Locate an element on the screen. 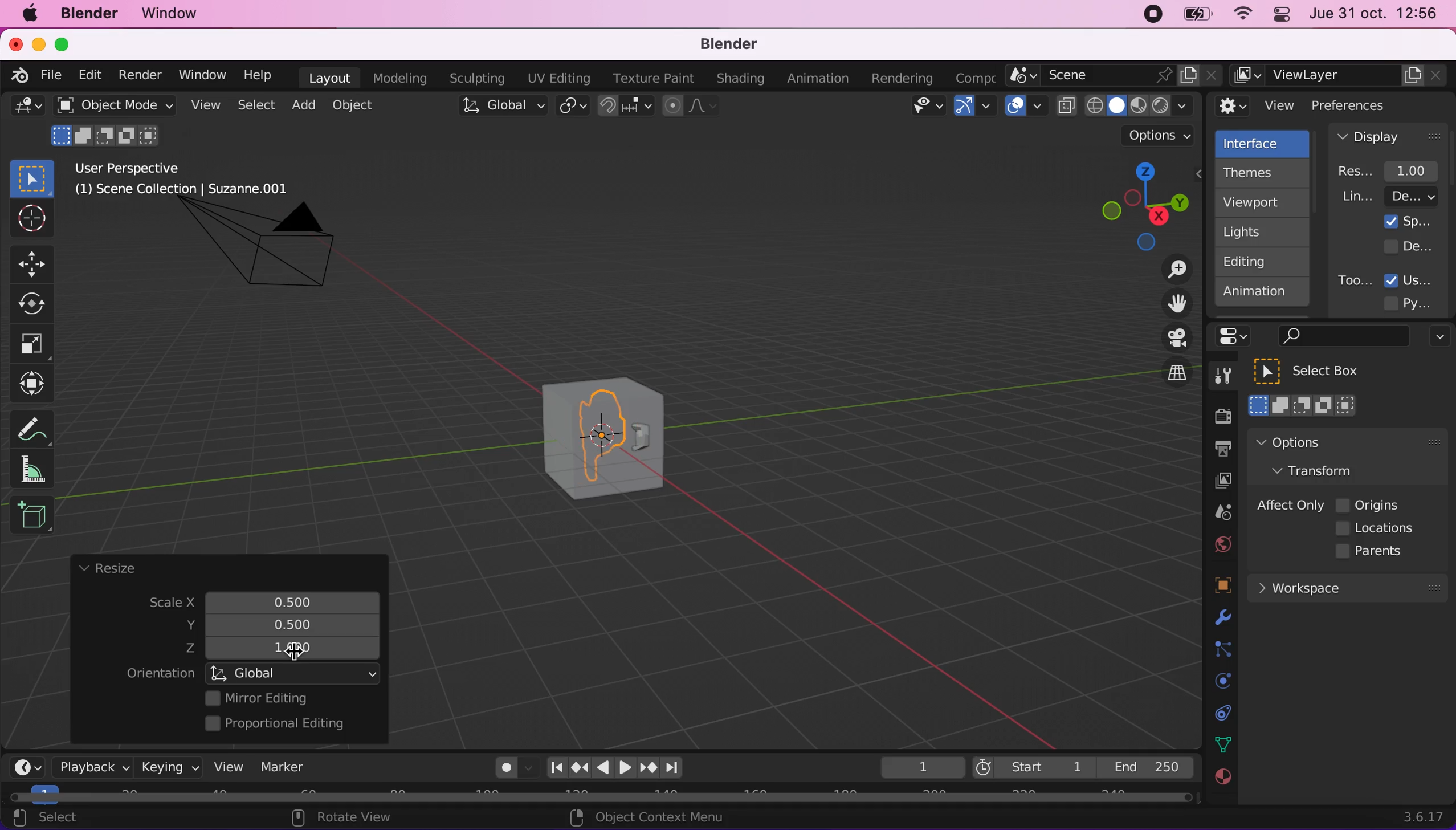  overlays is located at coordinates (1026, 107).